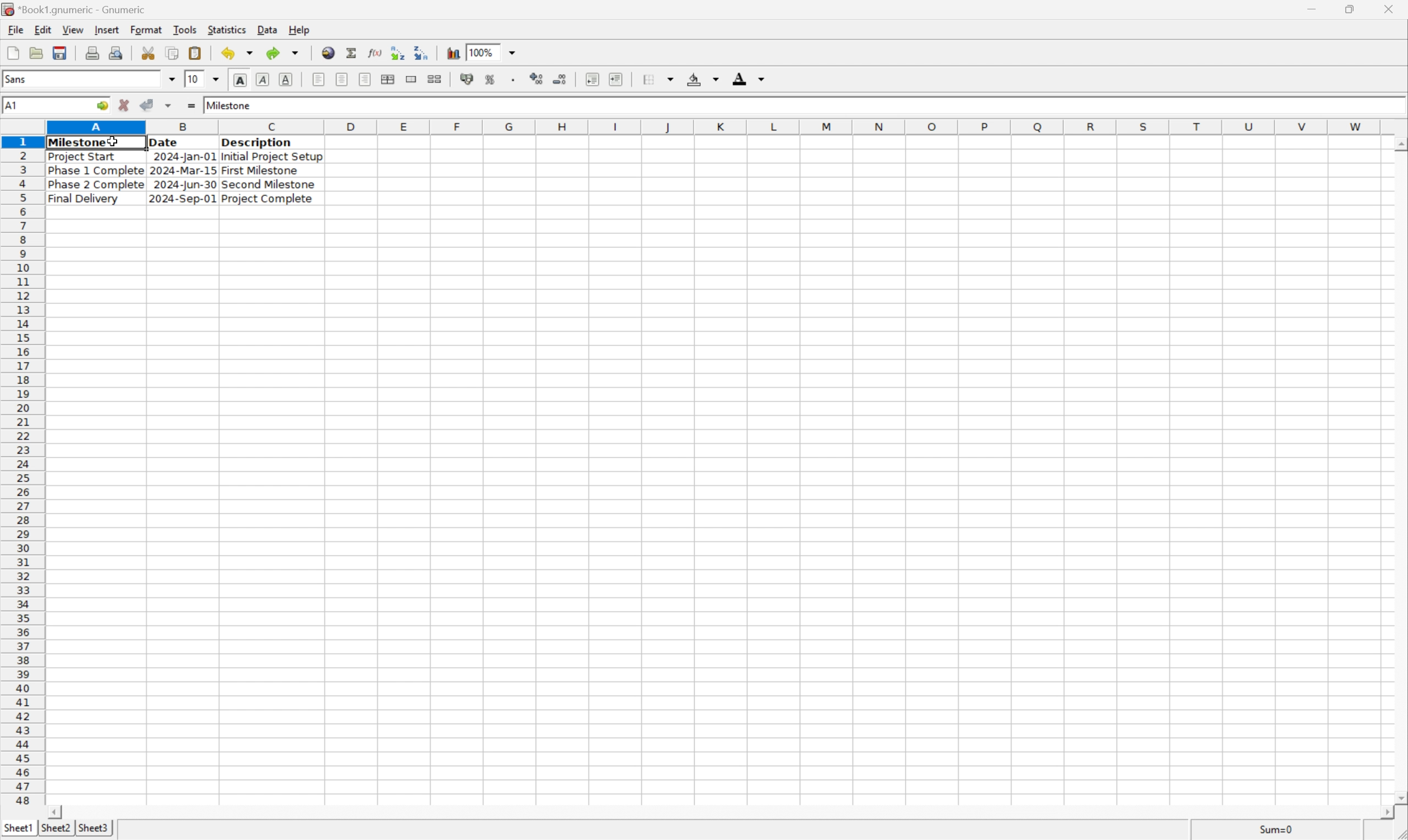 Image resolution: width=1408 pixels, height=840 pixels. Describe the element at coordinates (341, 80) in the screenshot. I see `center horizontally` at that location.